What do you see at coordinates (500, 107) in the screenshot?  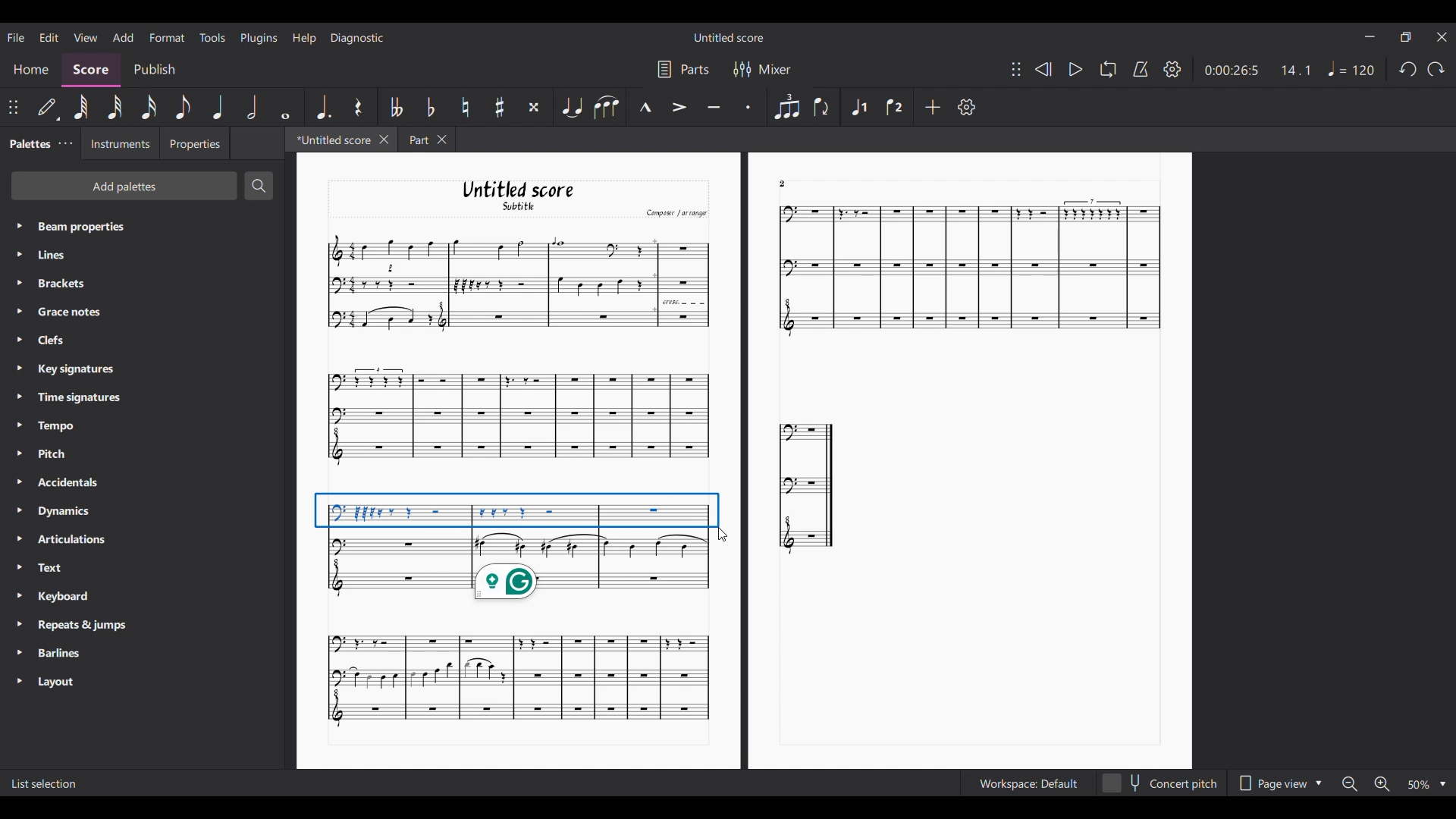 I see `Toggle sharp` at bounding box center [500, 107].